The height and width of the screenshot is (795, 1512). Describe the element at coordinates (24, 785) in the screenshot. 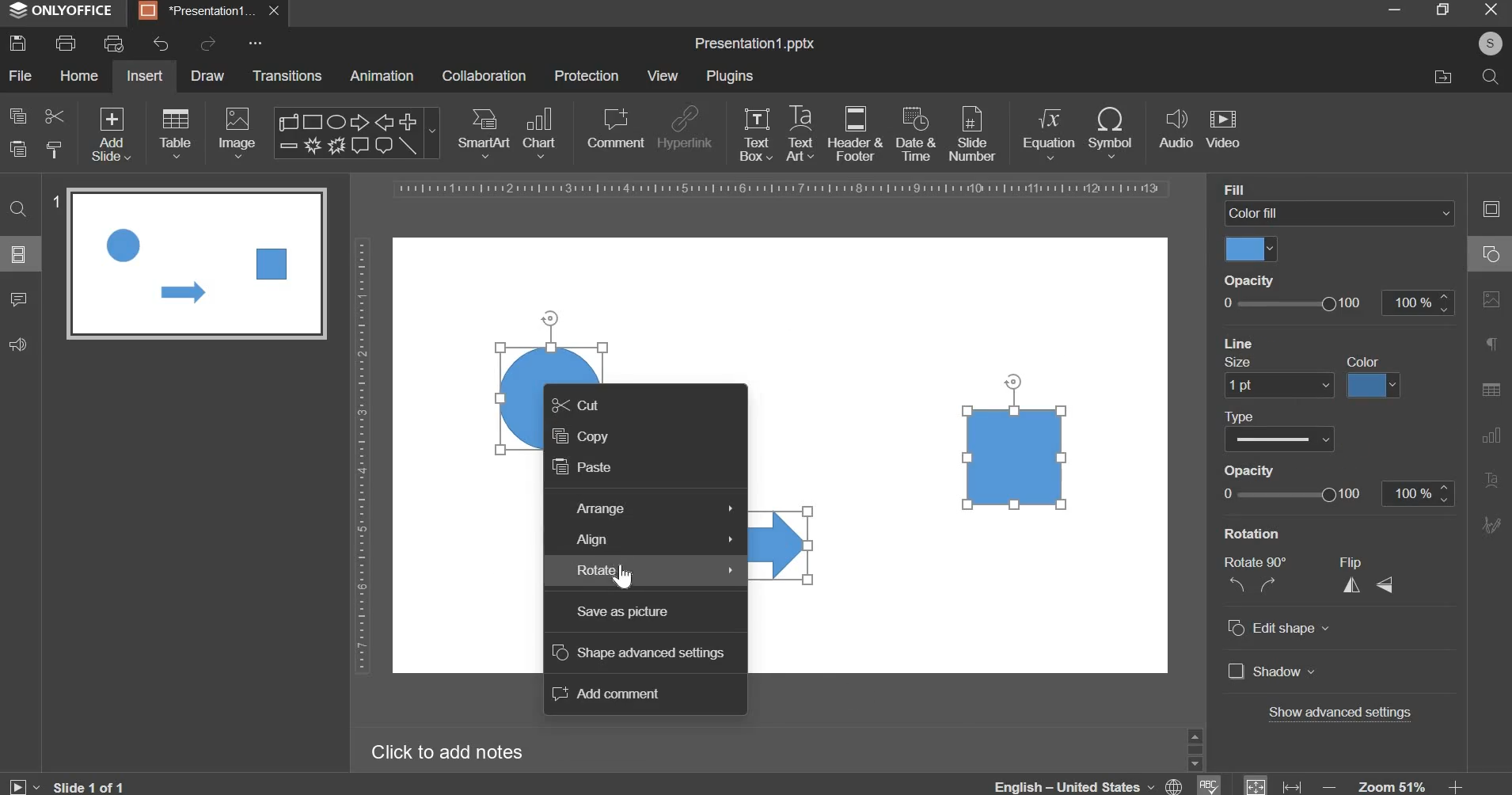

I see `slide show` at that location.